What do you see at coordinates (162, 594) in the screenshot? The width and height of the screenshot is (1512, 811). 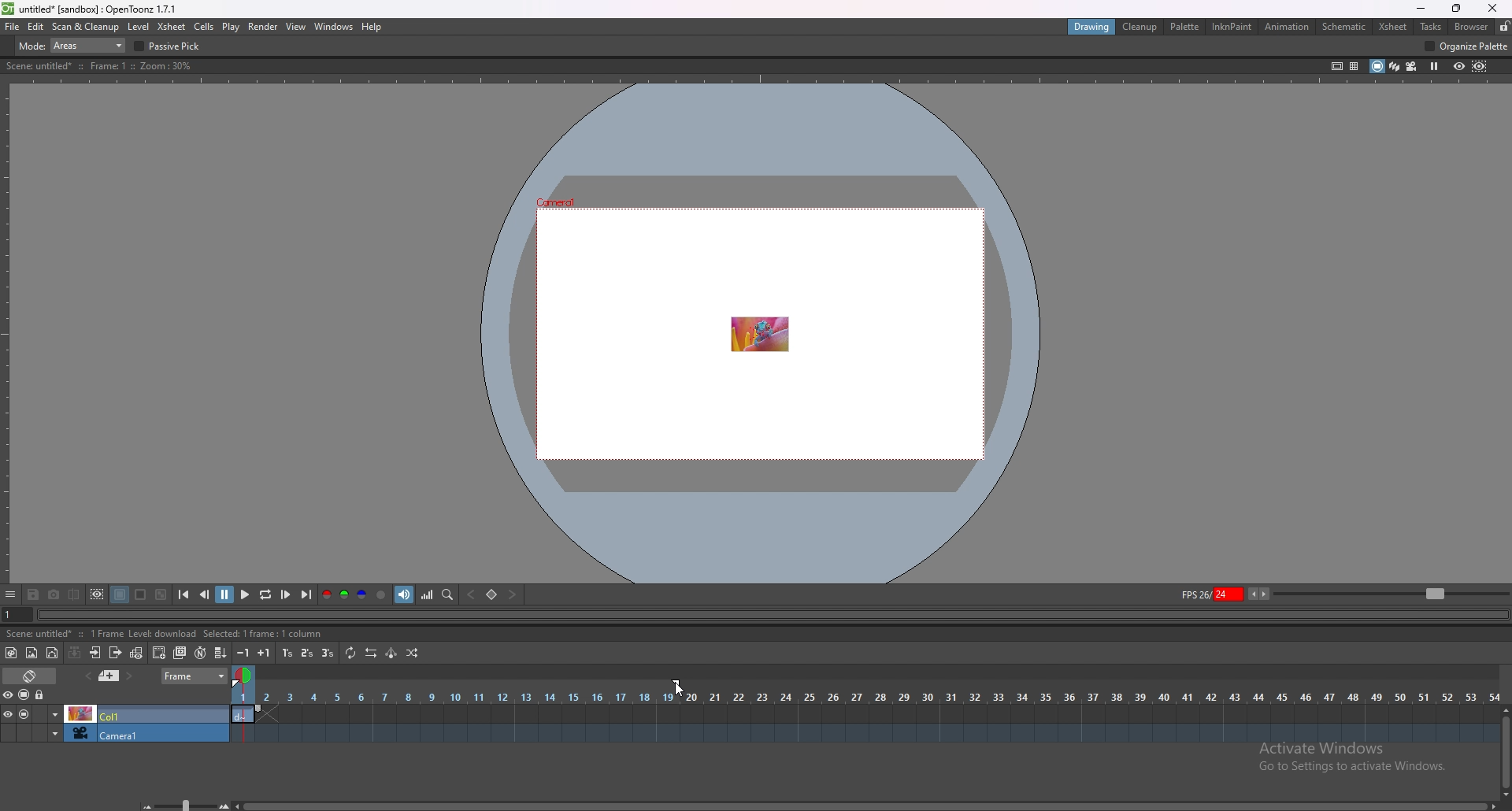 I see `checkered background` at bounding box center [162, 594].